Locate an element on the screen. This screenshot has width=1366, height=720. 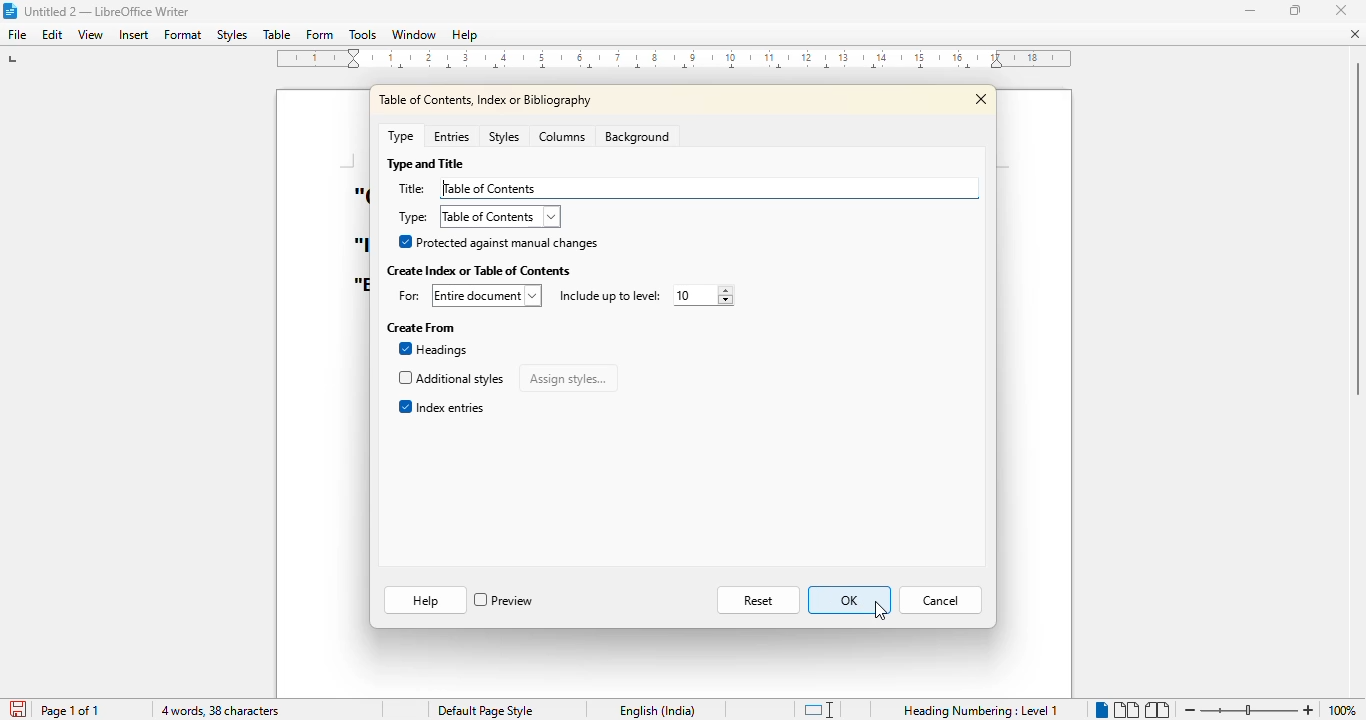
title is located at coordinates (96, 11).